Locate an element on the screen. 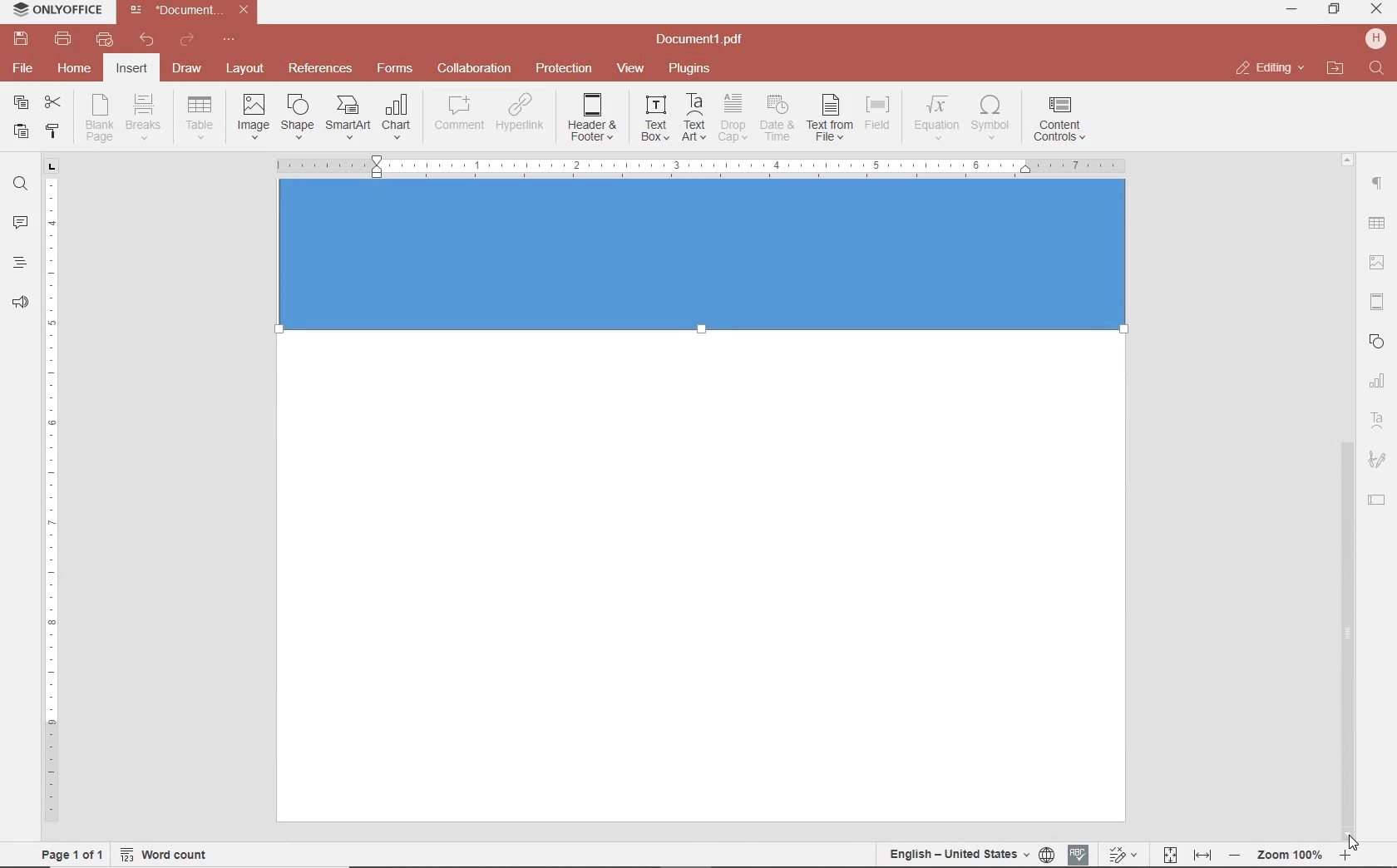 This screenshot has width=1397, height=868.  is located at coordinates (1290, 856).